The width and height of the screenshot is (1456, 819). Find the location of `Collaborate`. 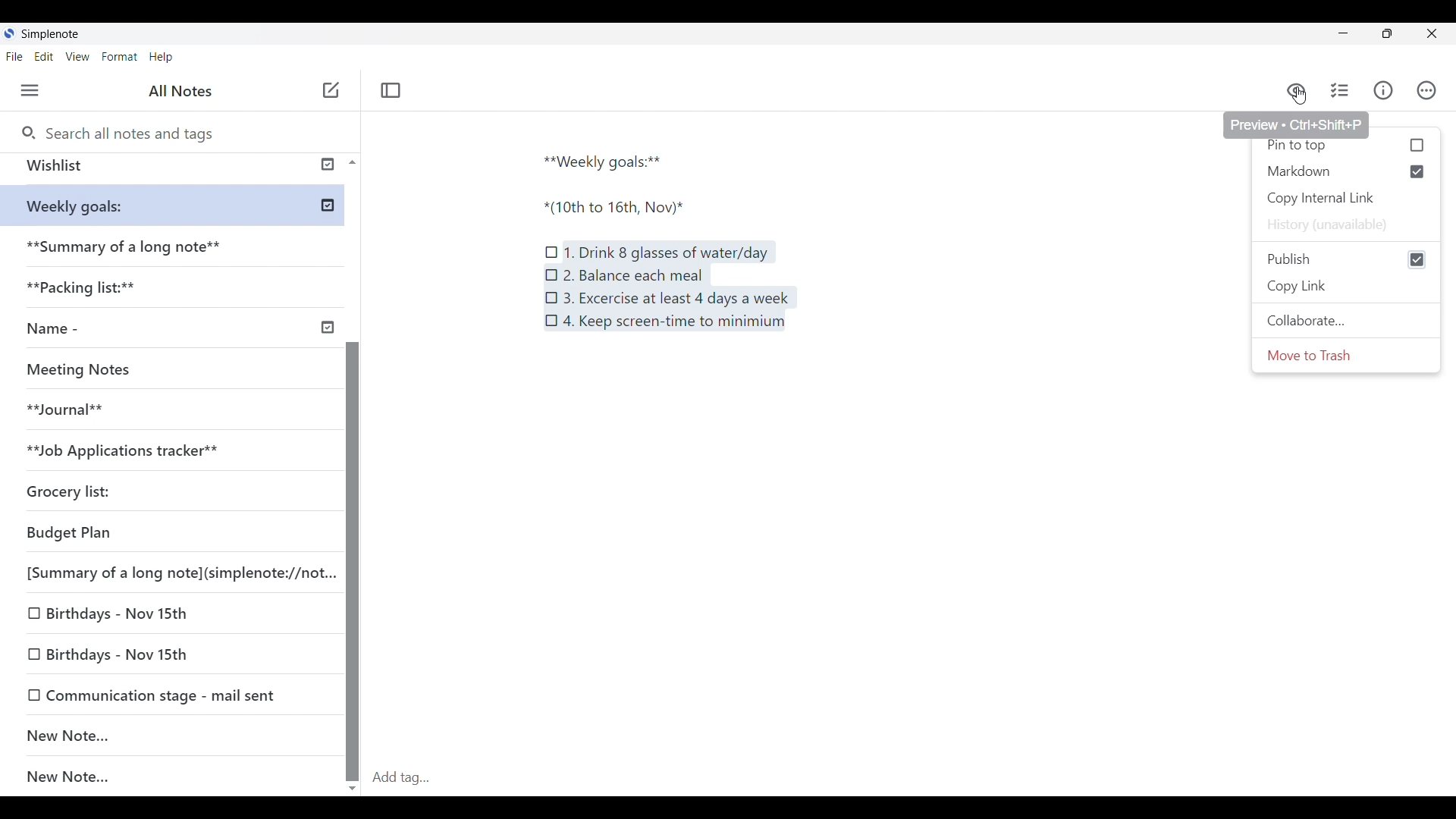

Collaborate is located at coordinates (1305, 324).